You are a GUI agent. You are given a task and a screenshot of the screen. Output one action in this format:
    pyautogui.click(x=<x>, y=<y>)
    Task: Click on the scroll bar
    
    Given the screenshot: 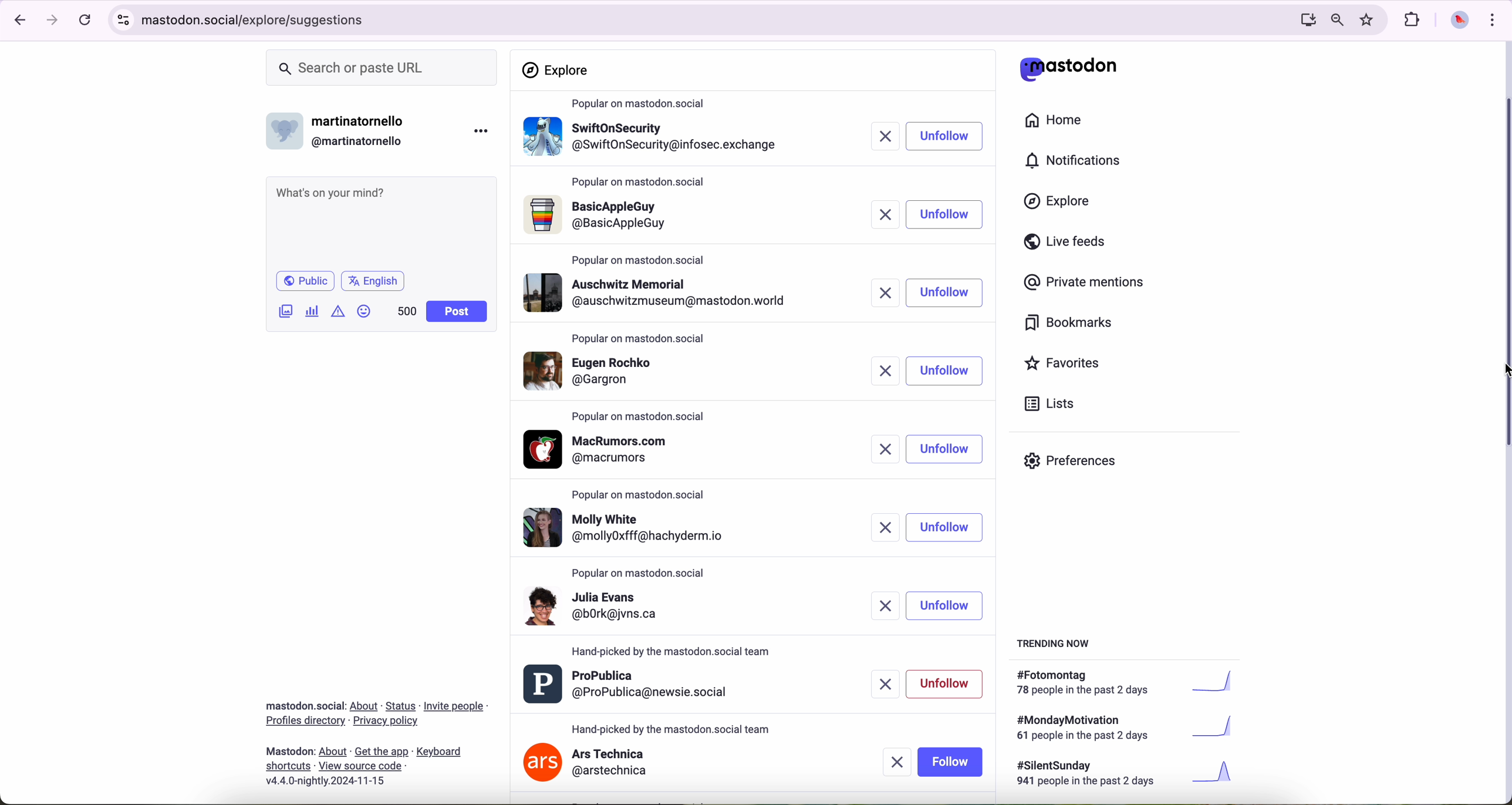 What is the action you would take?
    pyautogui.click(x=1503, y=275)
    